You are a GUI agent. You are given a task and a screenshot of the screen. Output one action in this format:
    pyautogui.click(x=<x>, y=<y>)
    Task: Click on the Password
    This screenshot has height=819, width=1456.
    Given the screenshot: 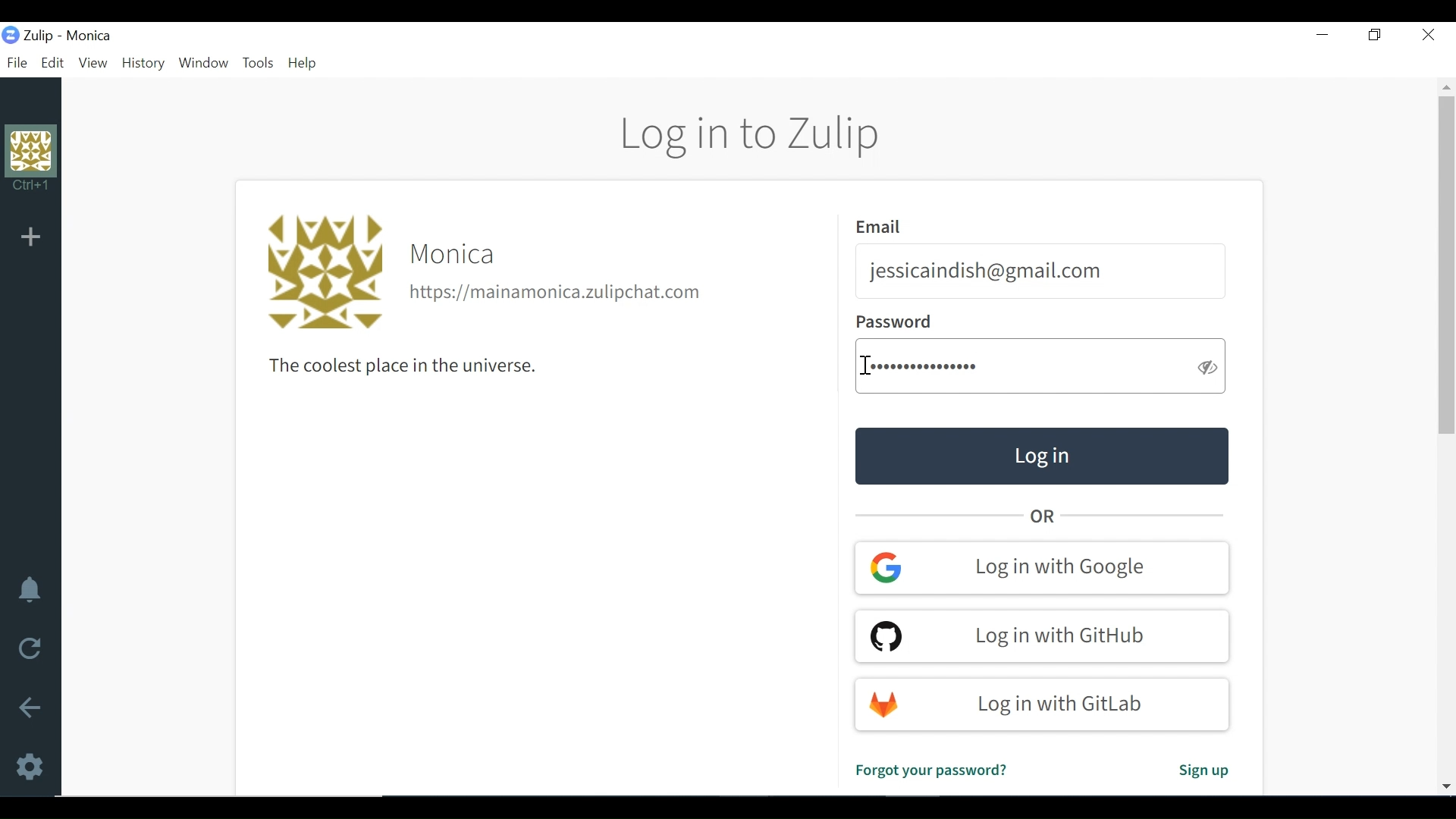 What is the action you would take?
    pyautogui.click(x=893, y=323)
    